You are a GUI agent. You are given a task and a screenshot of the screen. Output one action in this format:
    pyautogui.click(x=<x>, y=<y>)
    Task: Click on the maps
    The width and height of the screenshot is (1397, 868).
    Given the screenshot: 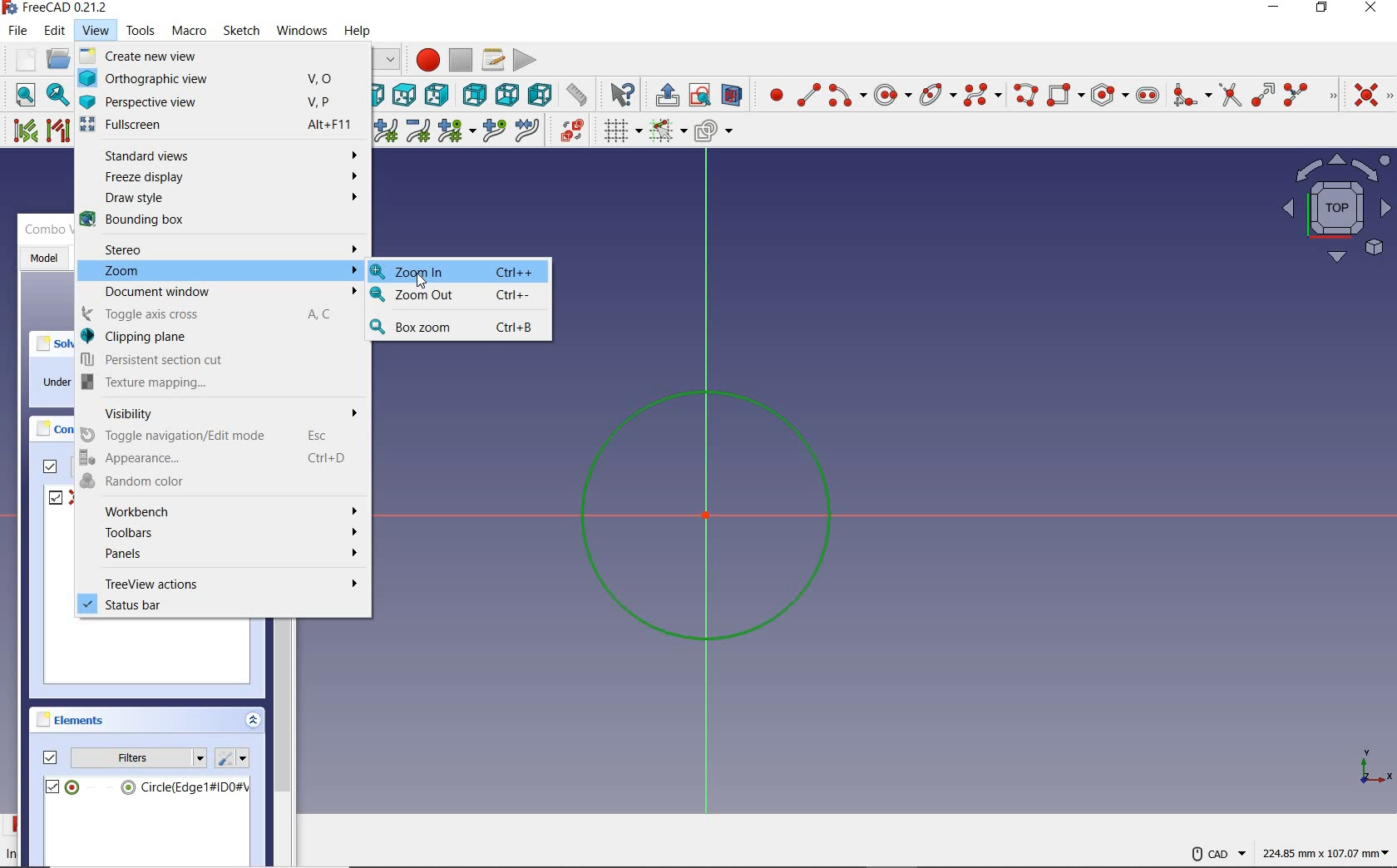 What is the action you would take?
    pyautogui.click(x=1329, y=209)
    